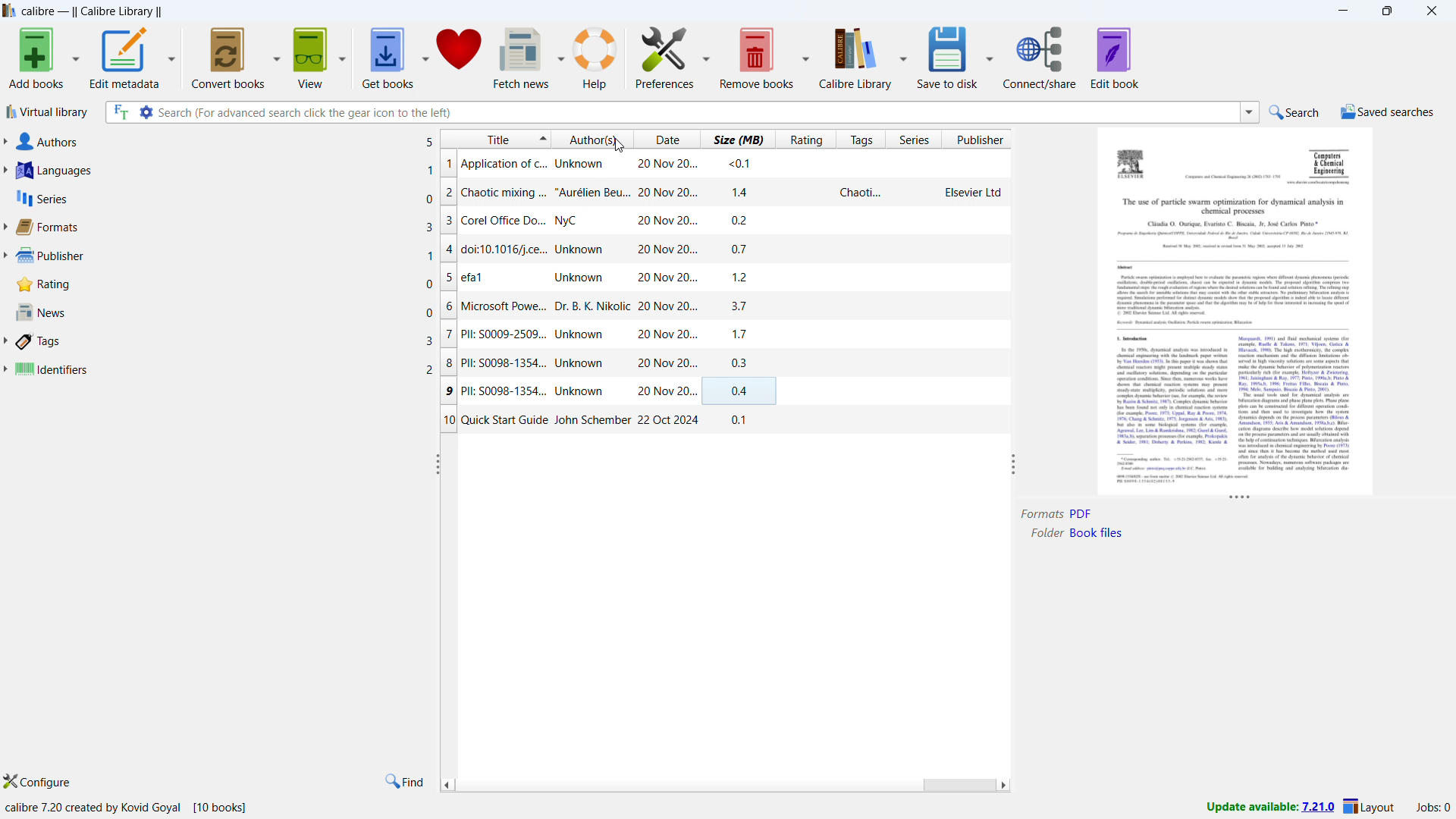 Image resolution: width=1456 pixels, height=819 pixels. What do you see at coordinates (585, 247) in the screenshot?
I see `doi:10.1016/j.ce... Unknown 20 Nov 20...` at bounding box center [585, 247].